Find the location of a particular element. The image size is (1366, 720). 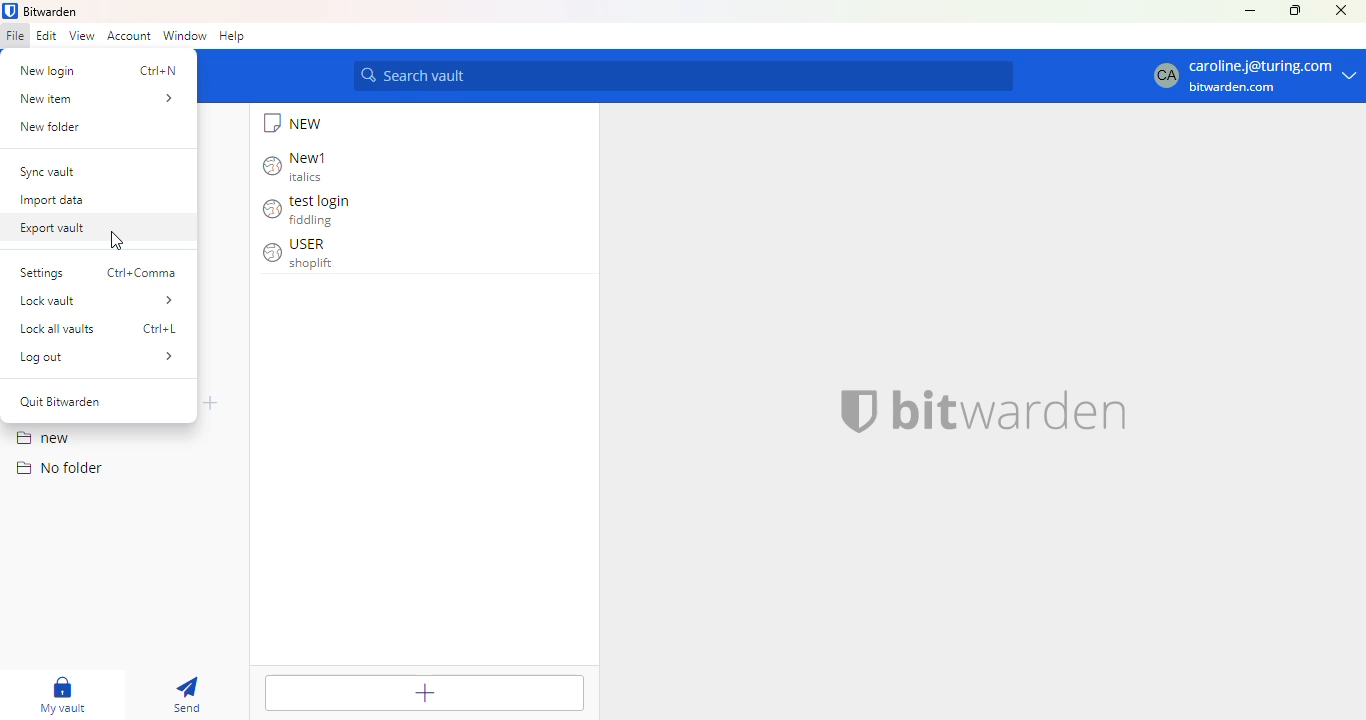

test login    fiddling is located at coordinates (311, 211).